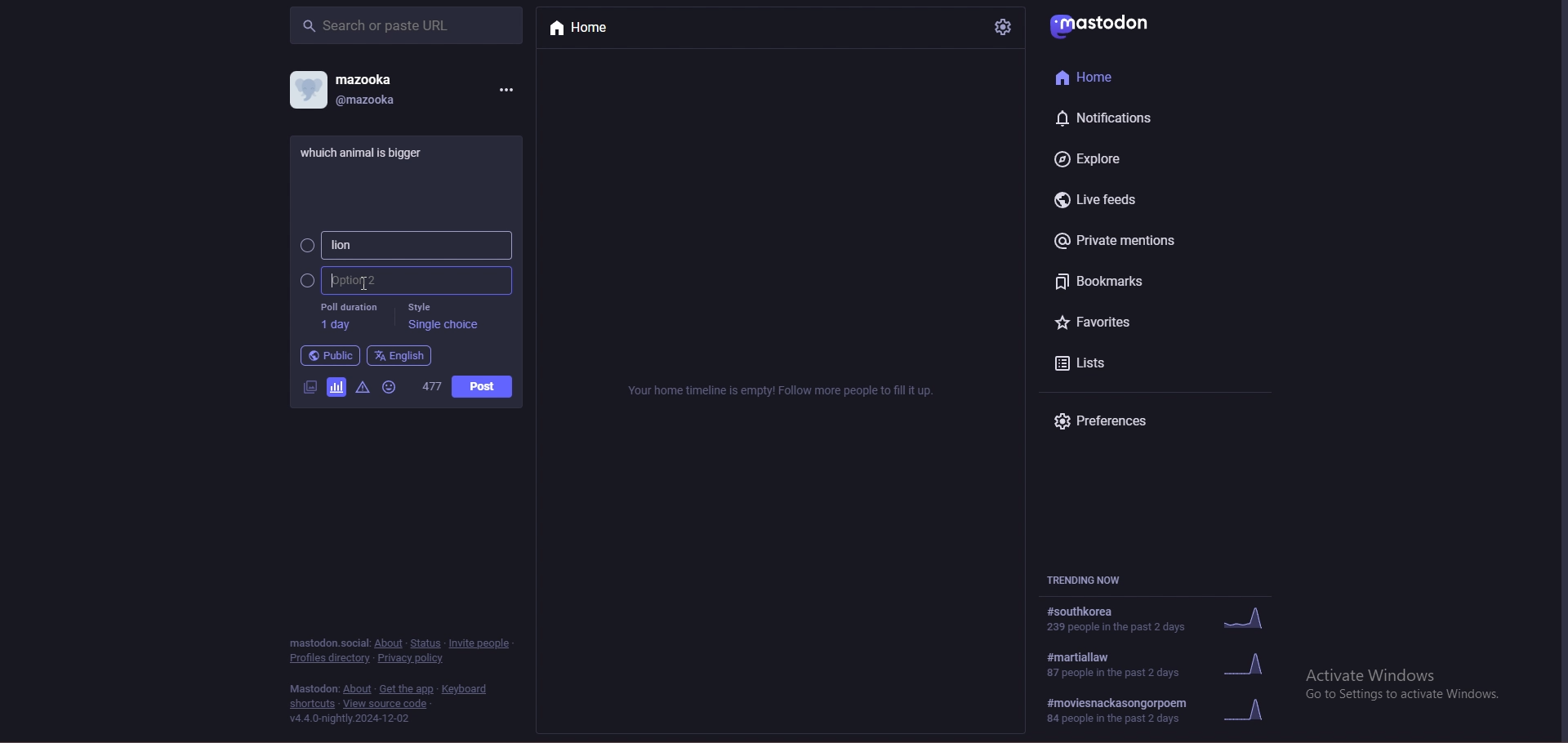  What do you see at coordinates (358, 281) in the screenshot?
I see `Cursor` at bounding box center [358, 281].